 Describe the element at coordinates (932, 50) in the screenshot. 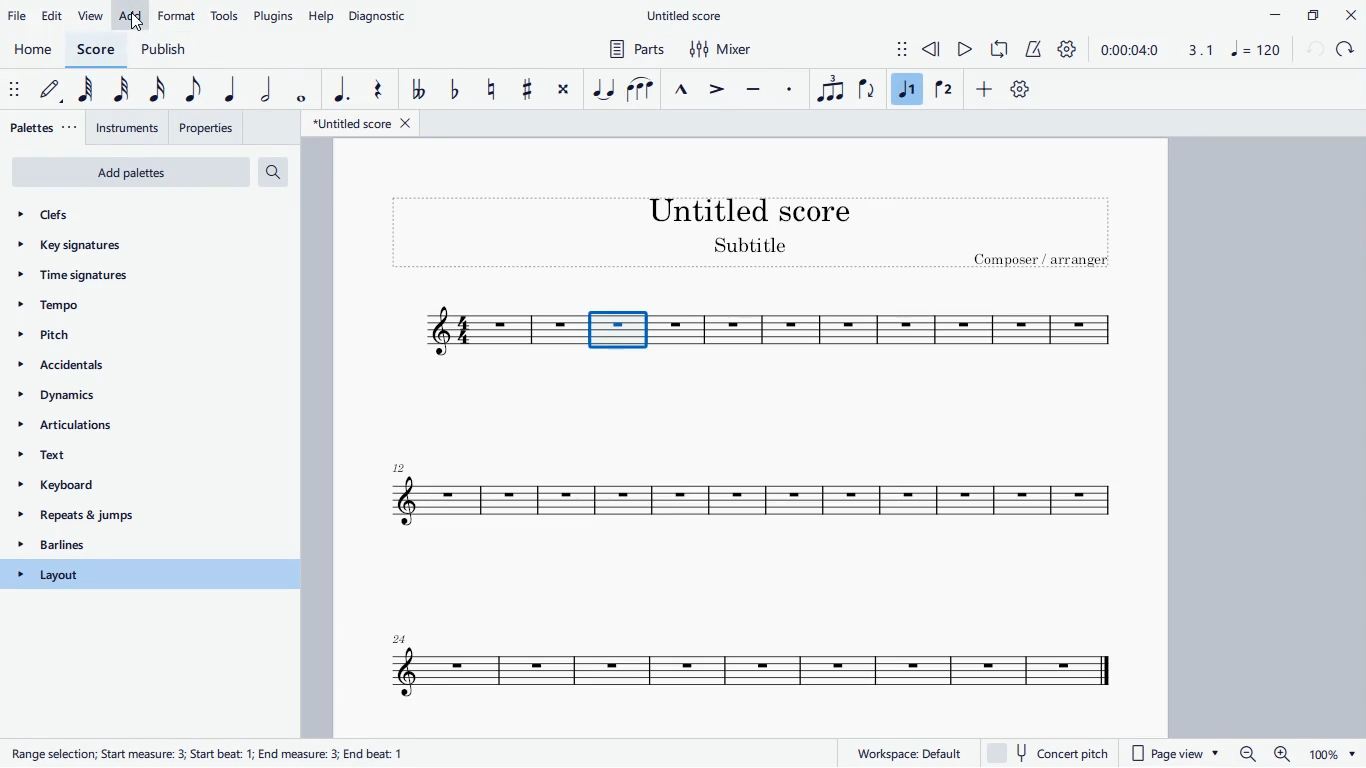

I see `rewind` at that location.